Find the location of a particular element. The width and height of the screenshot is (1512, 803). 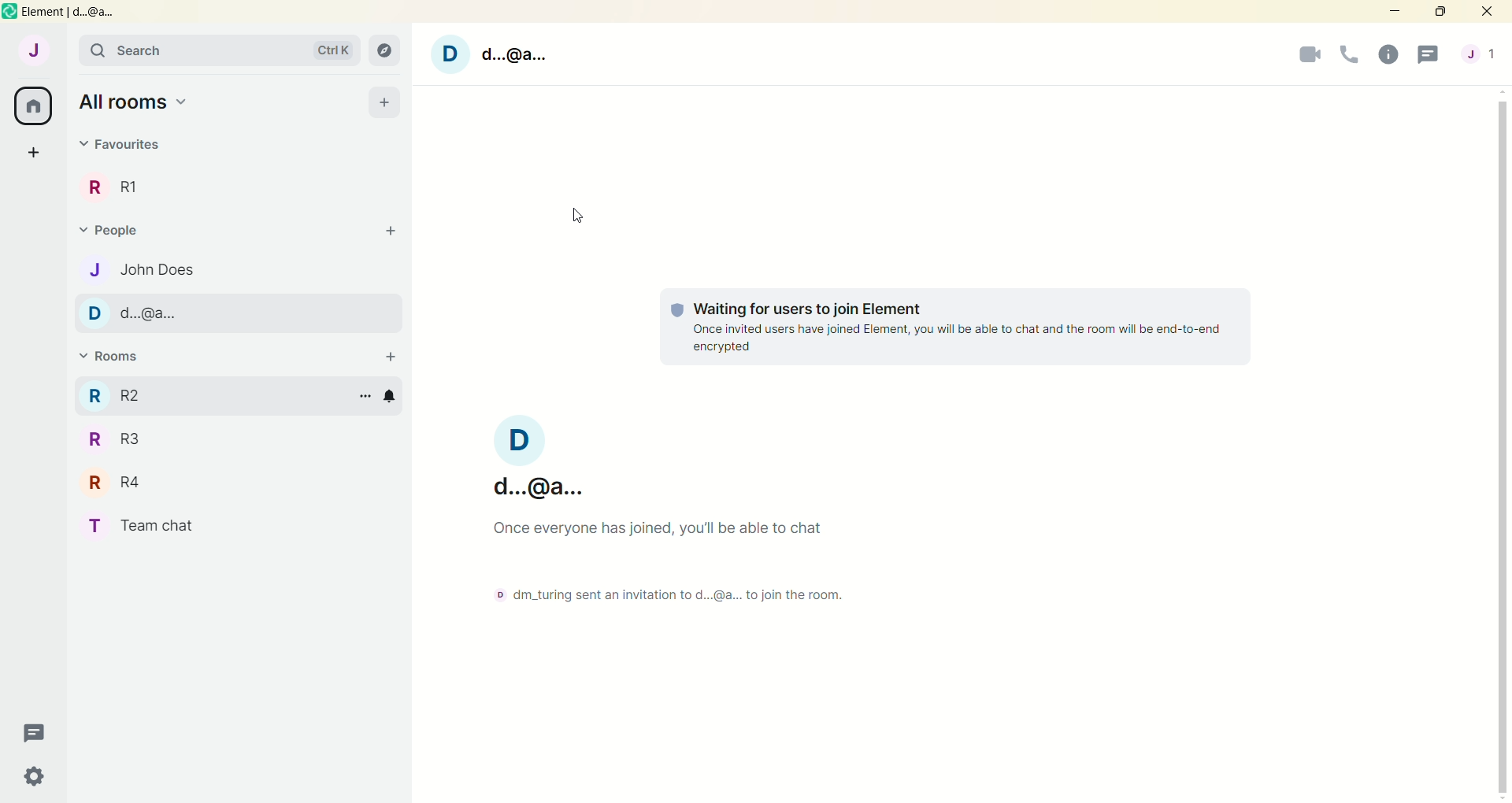

video call is located at coordinates (1314, 56).